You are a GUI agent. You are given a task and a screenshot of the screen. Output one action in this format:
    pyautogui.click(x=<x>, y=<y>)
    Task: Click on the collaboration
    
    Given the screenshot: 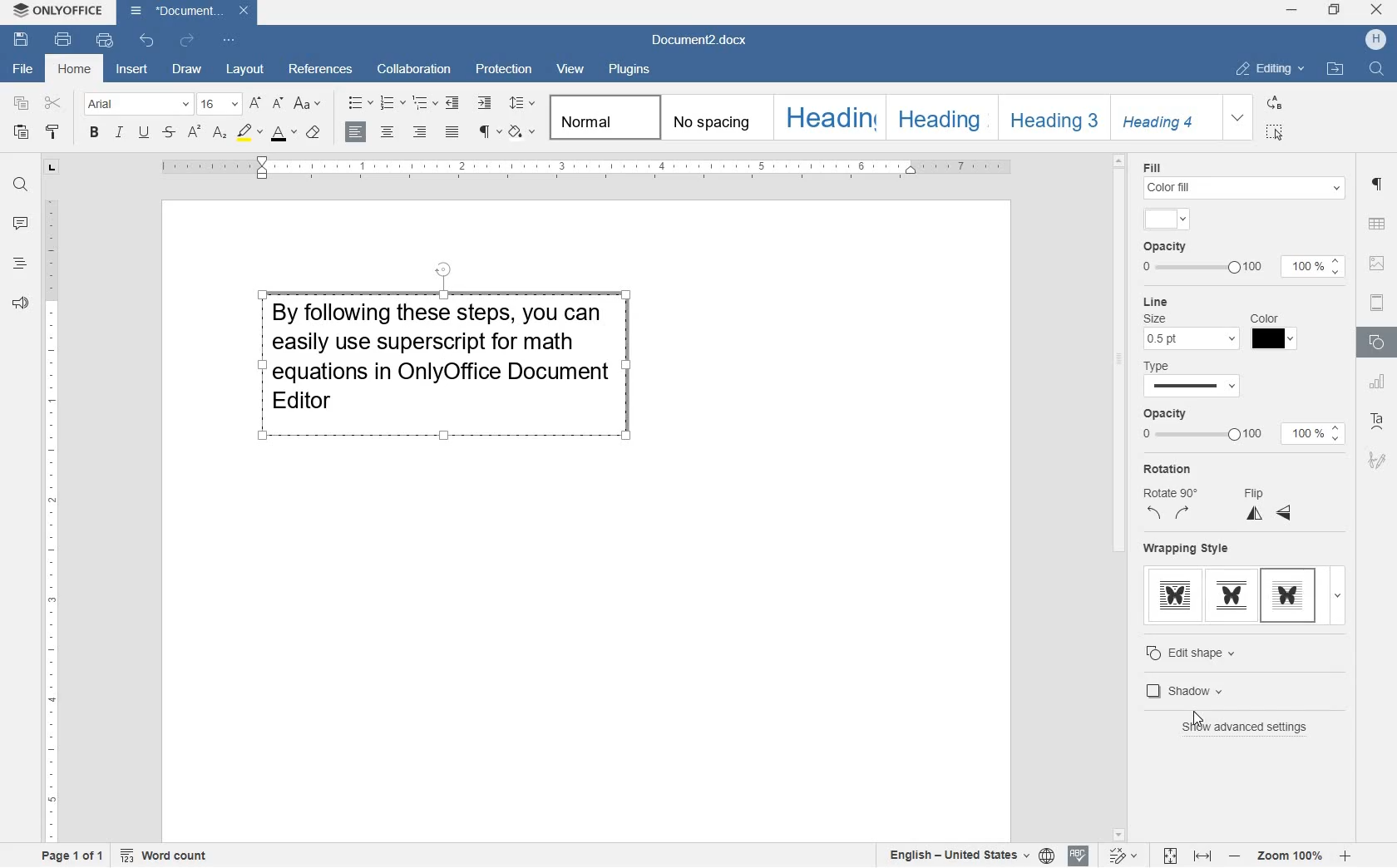 What is the action you would take?
    pyautogui.click(x=417, y=68)
    